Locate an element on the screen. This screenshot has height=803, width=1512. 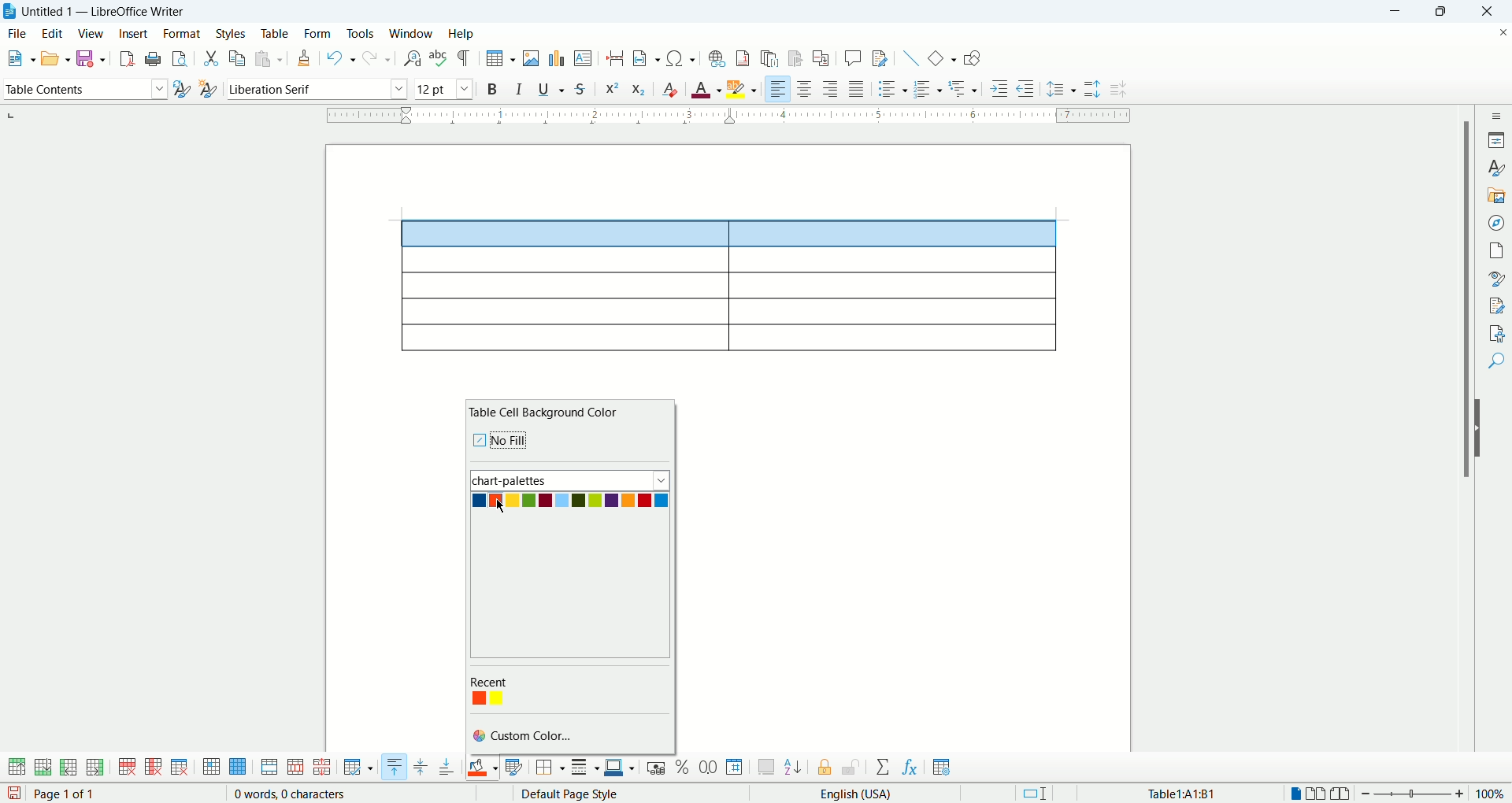
align top is located at coordinates (393, 767).